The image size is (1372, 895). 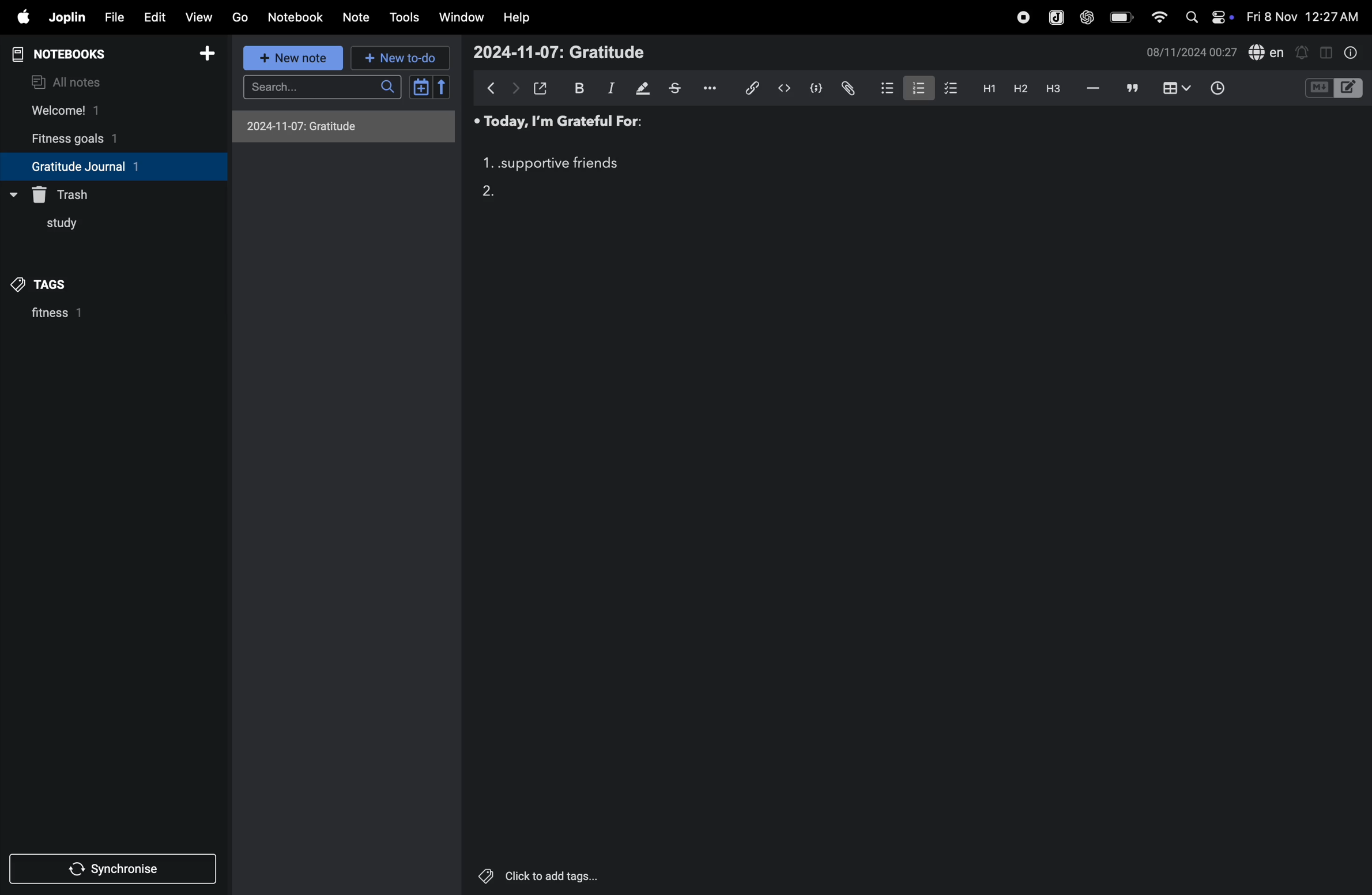 What do you see at coordinates (54, 227) in the screenshot?
I see `study` at bounding box center [54, 227].